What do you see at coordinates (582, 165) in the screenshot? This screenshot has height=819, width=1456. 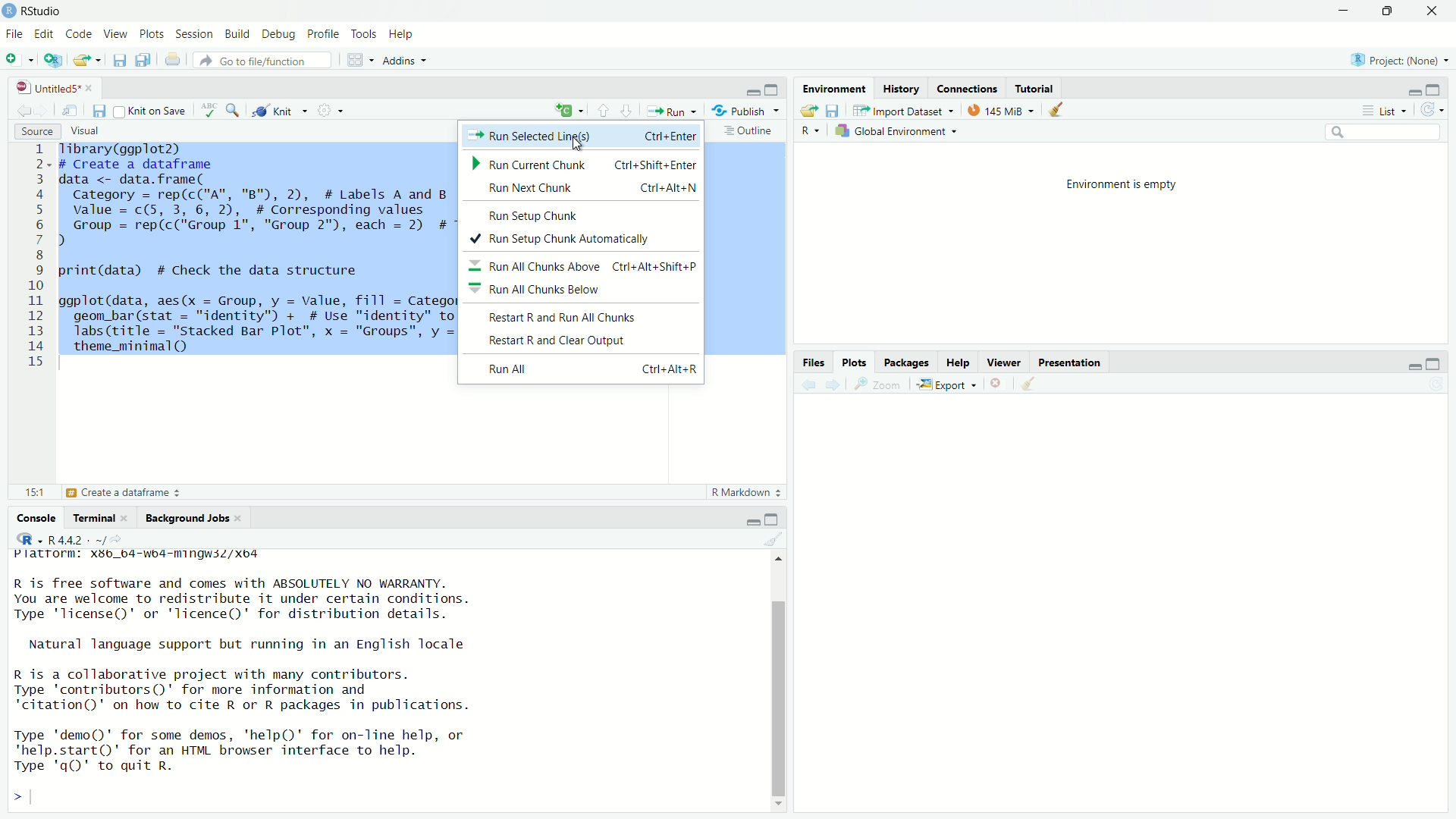 I see `» Run Current Chunk ~~ Ctrl+Shift+Enter` at bounding box center [582, 165].